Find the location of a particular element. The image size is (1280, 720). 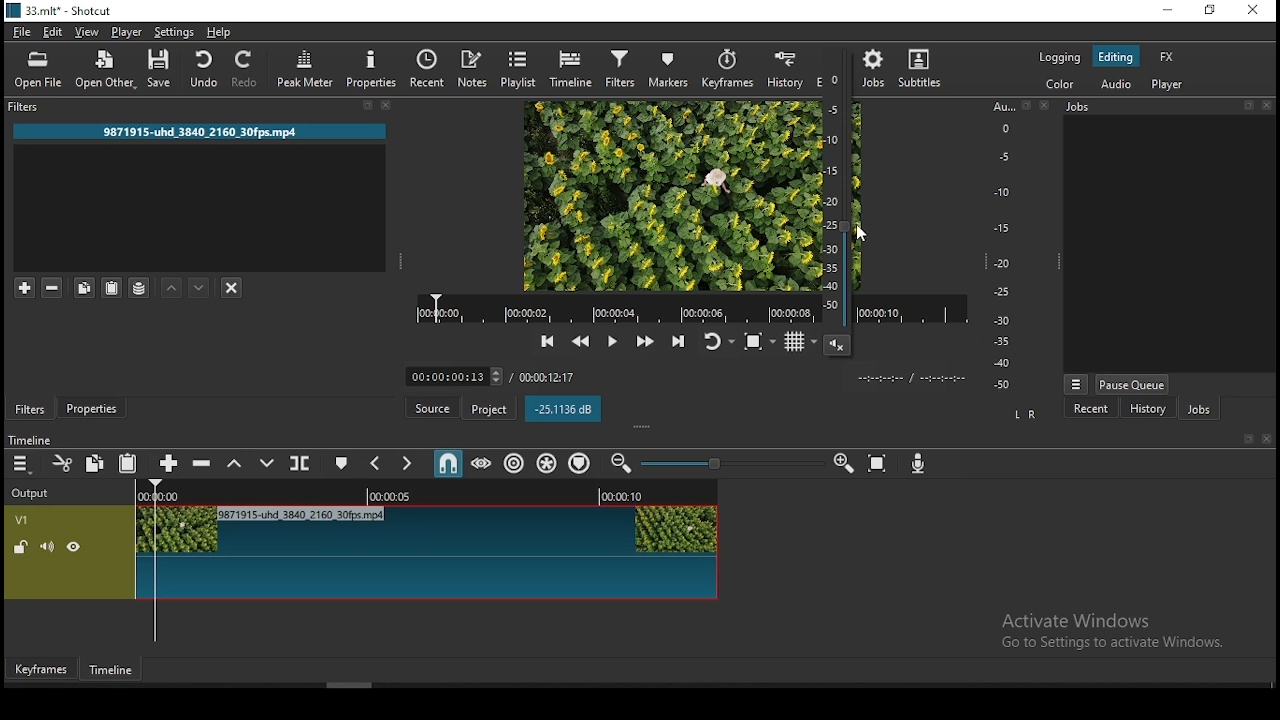

copy is located at coordinates (97, 464).